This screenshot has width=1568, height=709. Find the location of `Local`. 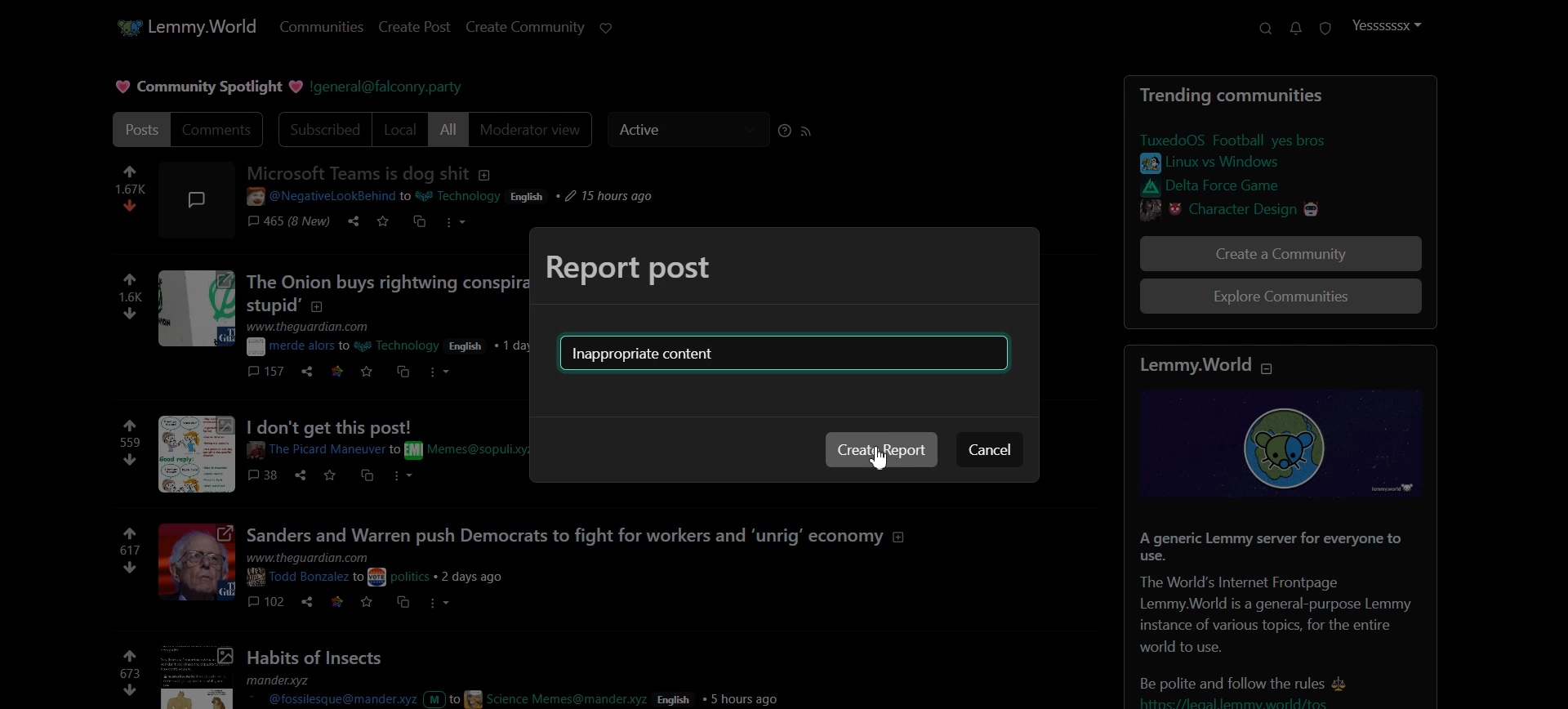

Local is located at coordinates (400, 130).